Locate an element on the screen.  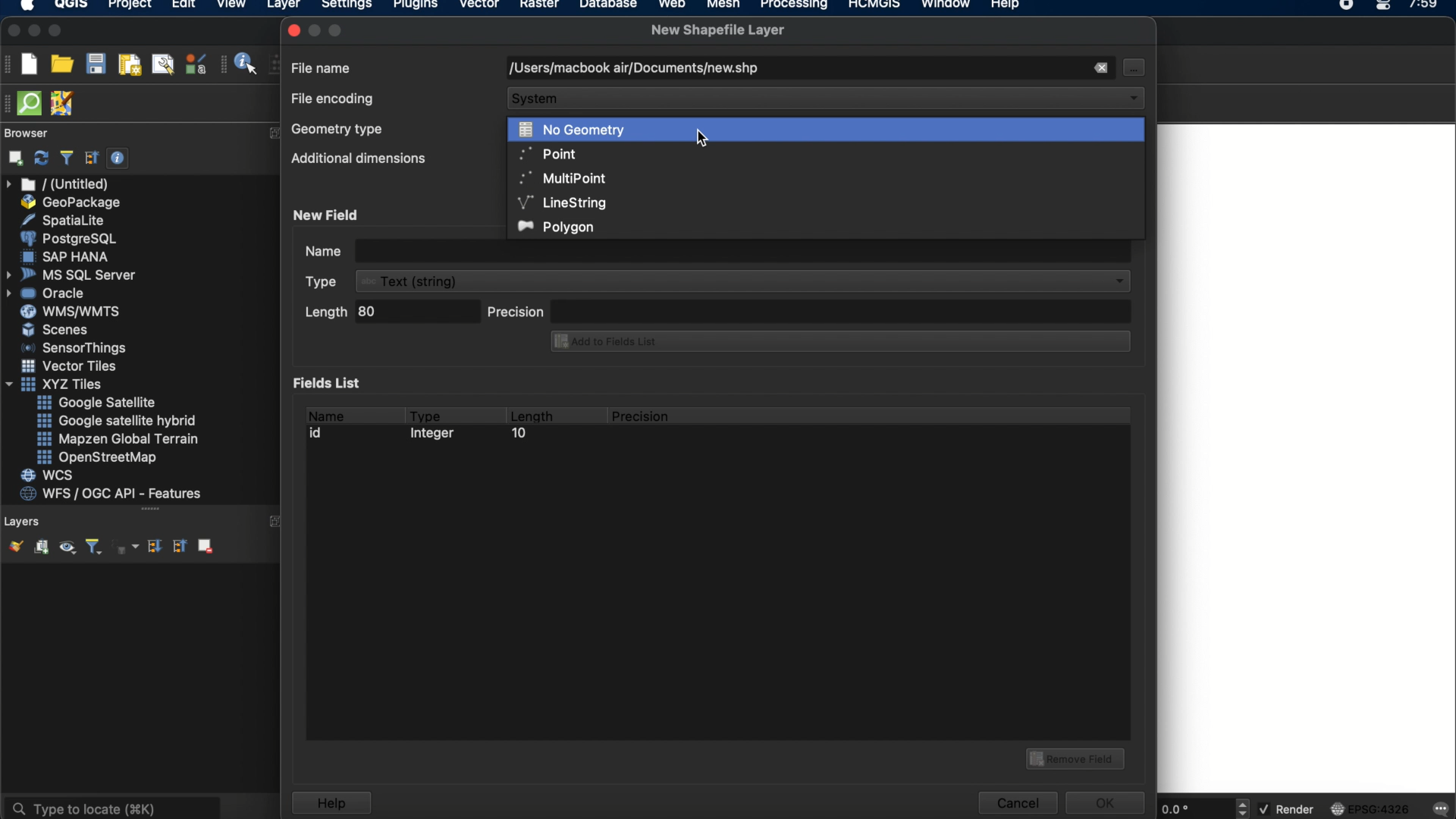
style manager is located at coordinates (196, 64).